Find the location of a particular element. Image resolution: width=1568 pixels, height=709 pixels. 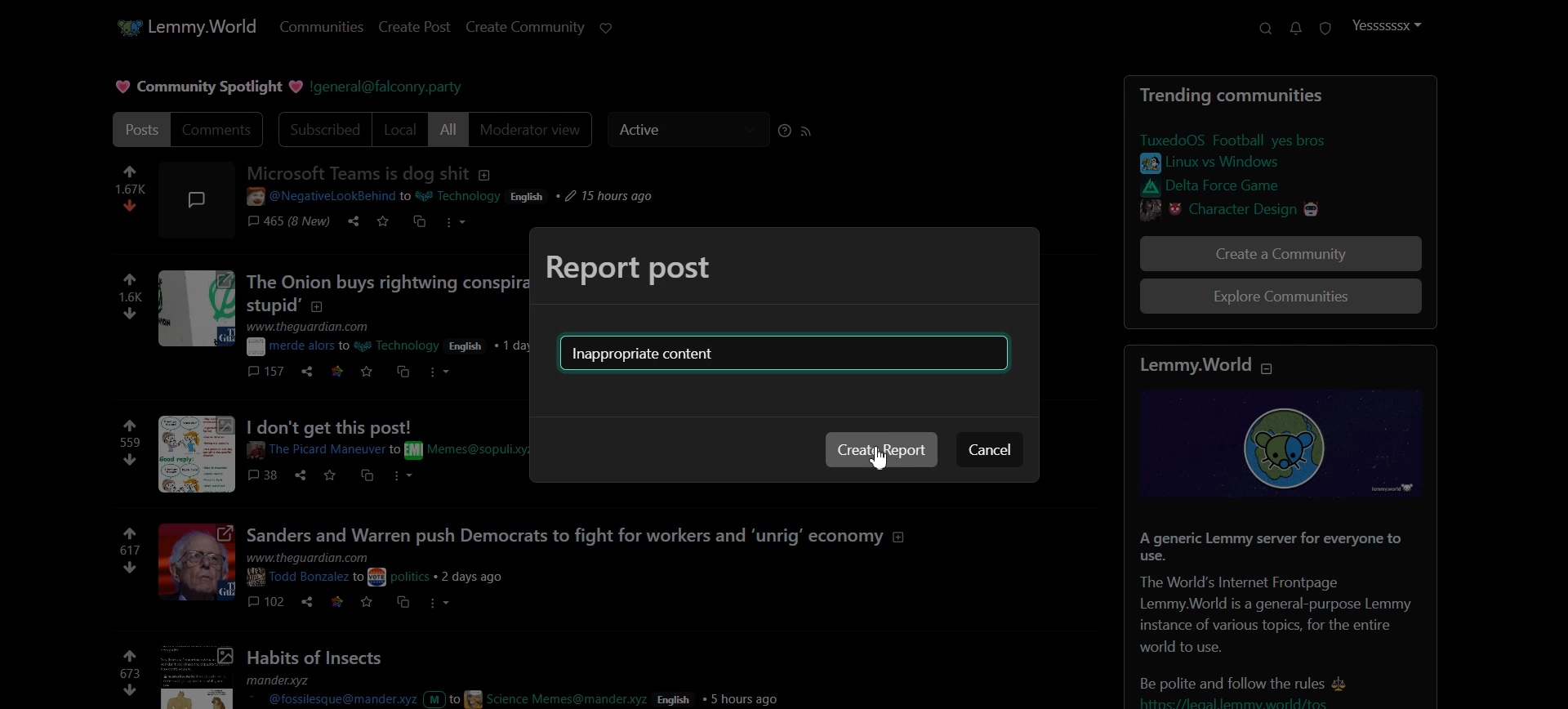

like is located at coordinates (127, 655).